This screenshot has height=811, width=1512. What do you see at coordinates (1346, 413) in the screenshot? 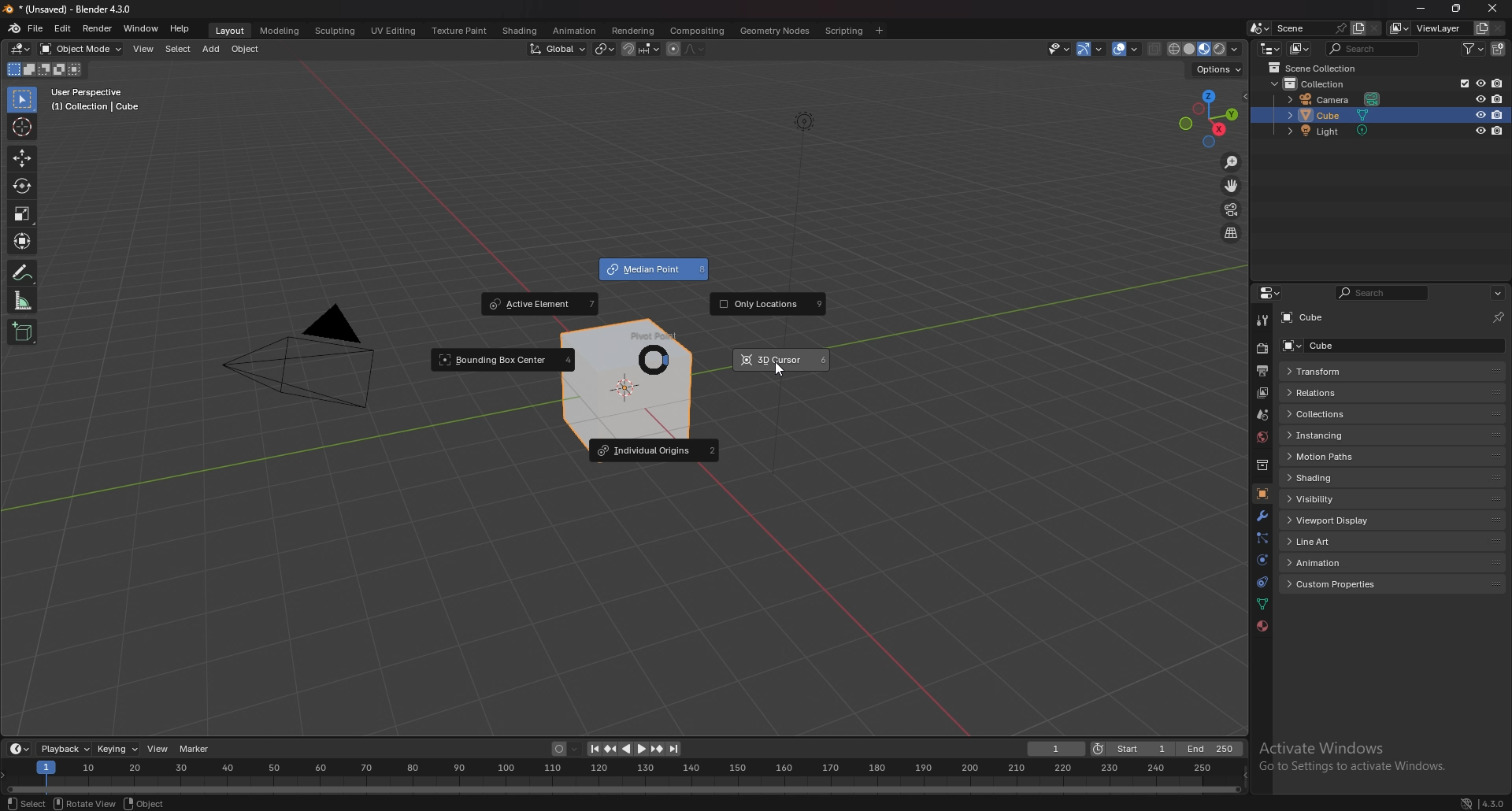
I see `collections` at bounding box center [1346, 413].